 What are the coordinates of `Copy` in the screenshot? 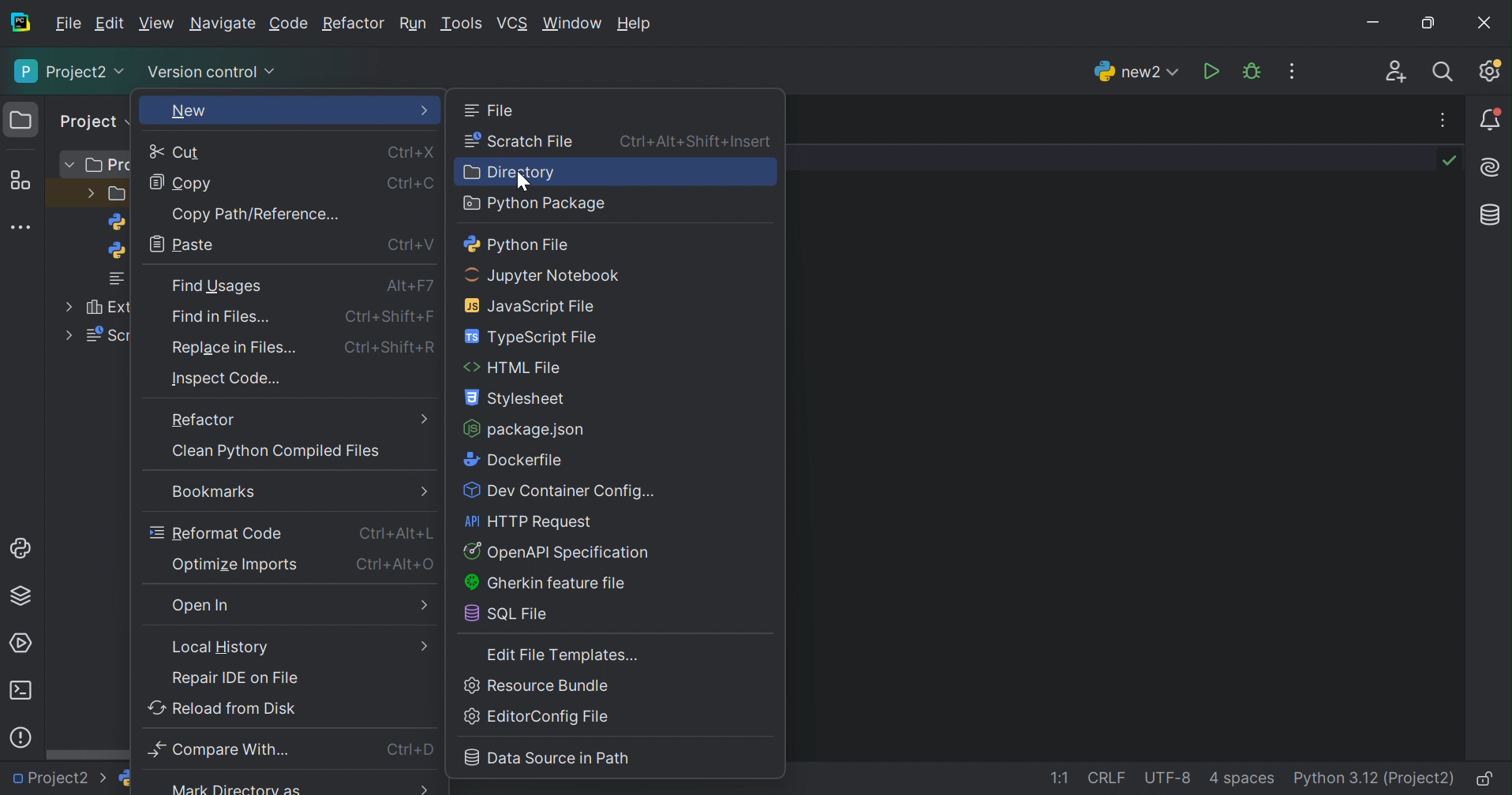 It's located at (182, 185).